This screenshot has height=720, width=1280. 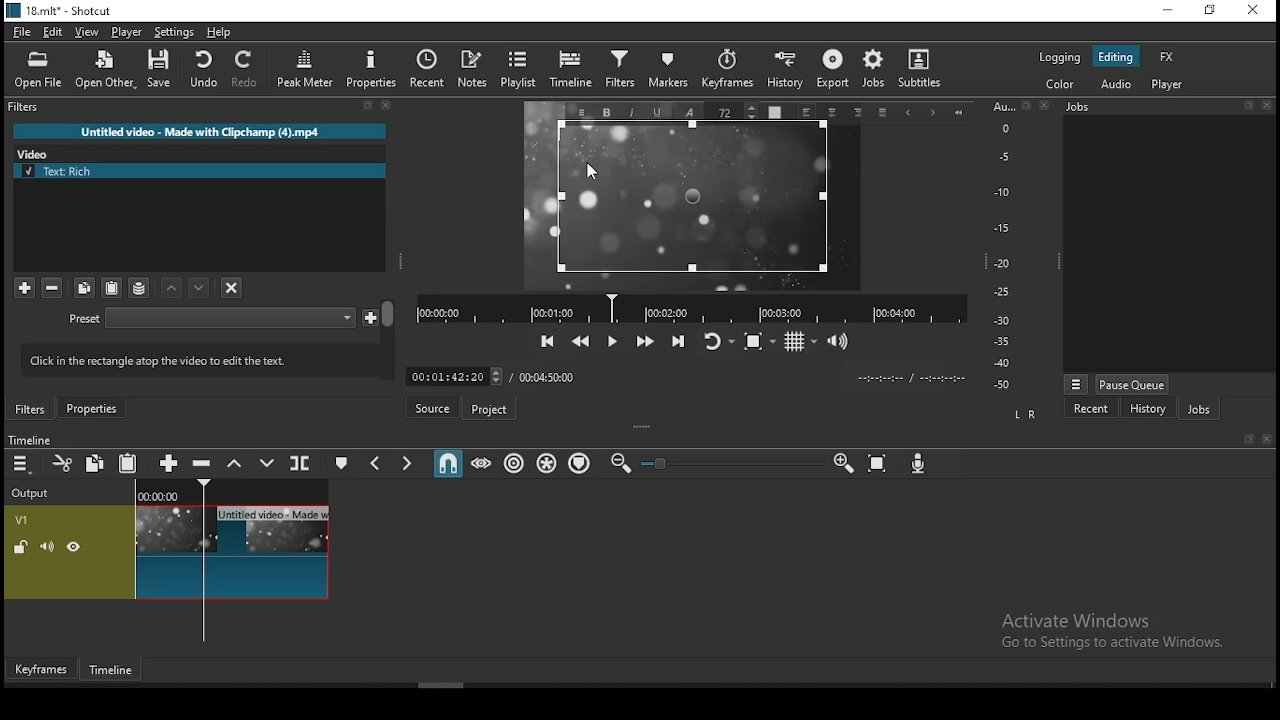 What do you see at coordinates (29, 439) in the screenshot?
I see `Timeline` at bounding box center [29, 439].